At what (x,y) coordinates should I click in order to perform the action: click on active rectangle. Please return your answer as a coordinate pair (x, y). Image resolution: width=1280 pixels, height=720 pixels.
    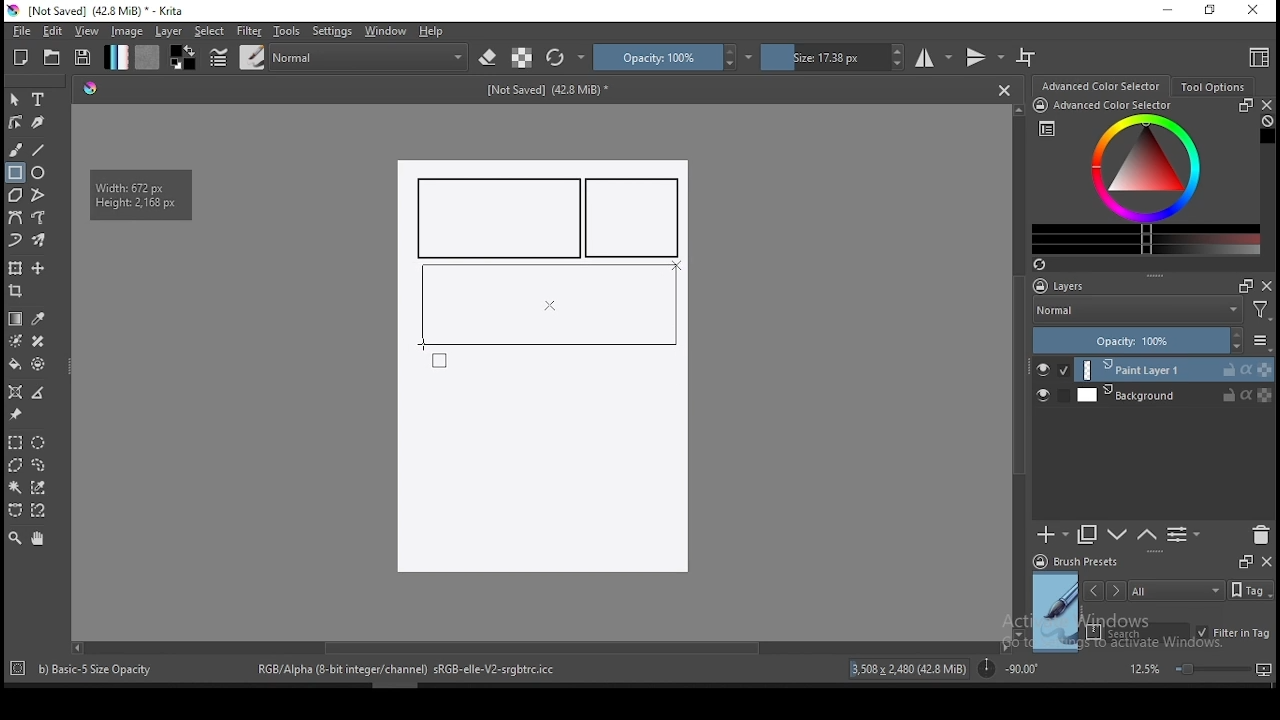
    Looking at the image, I should click on (547, 303).